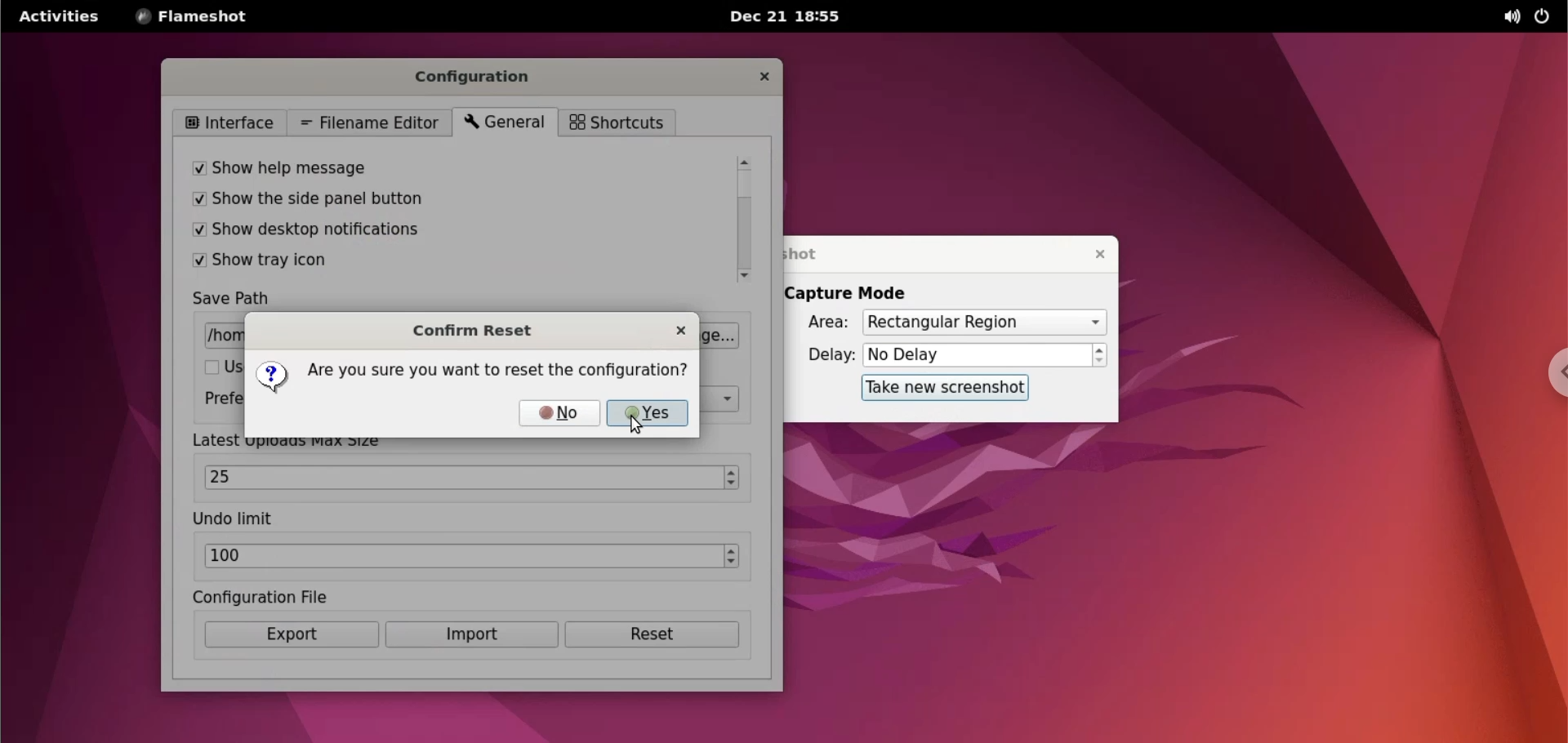  What do you see at coordinates (291, 635) in the screenshot?
I see `exports` at bounding box center [291, 635].